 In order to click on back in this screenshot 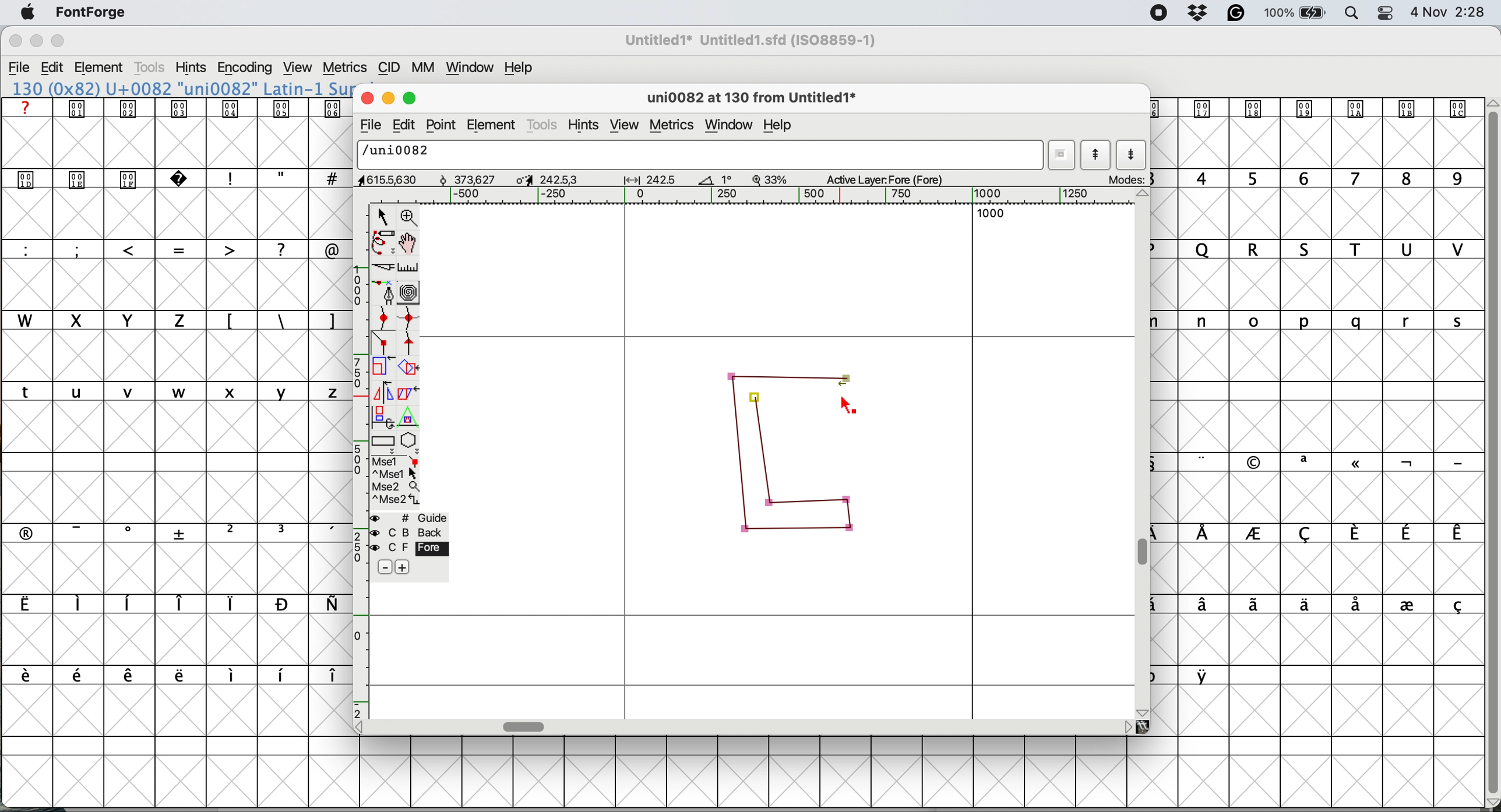, I will do `click(410, 532)`.